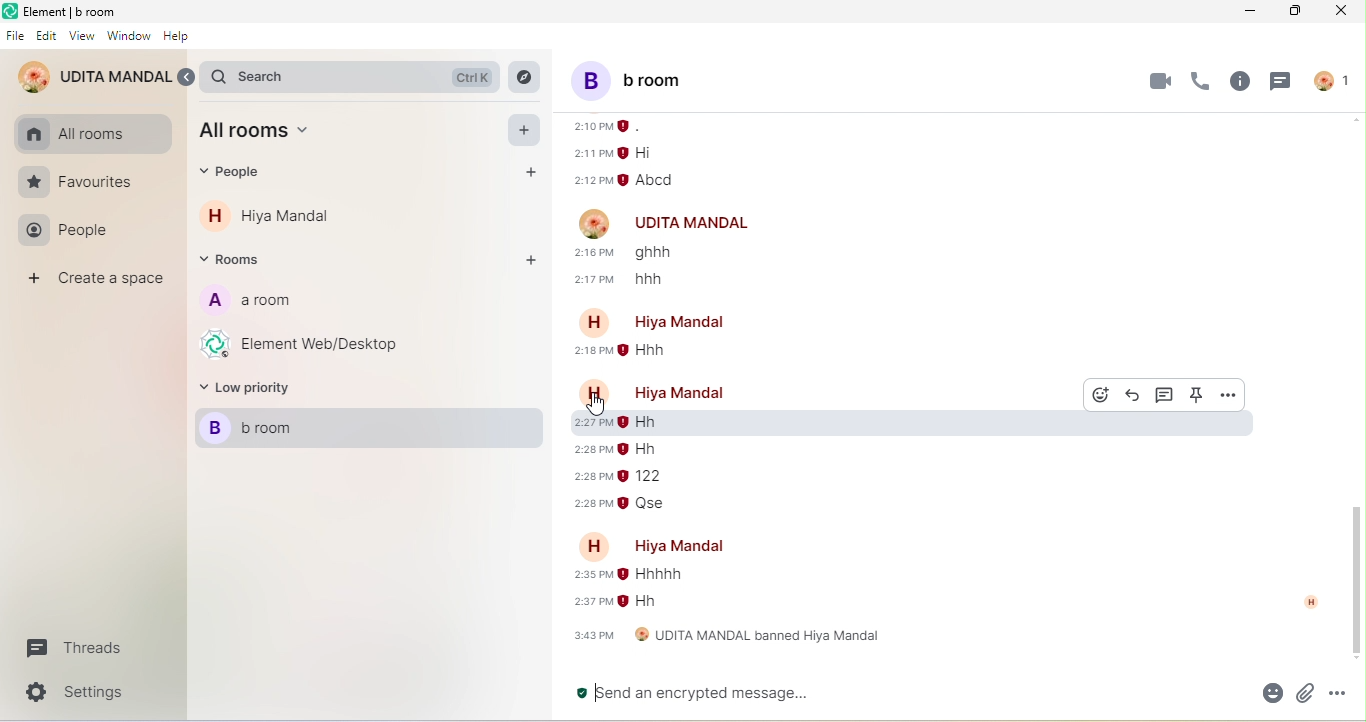  What do you see at coordinates (529, 260) in the screenshot?
I see `add rooms` at bounding box center [529, 260].